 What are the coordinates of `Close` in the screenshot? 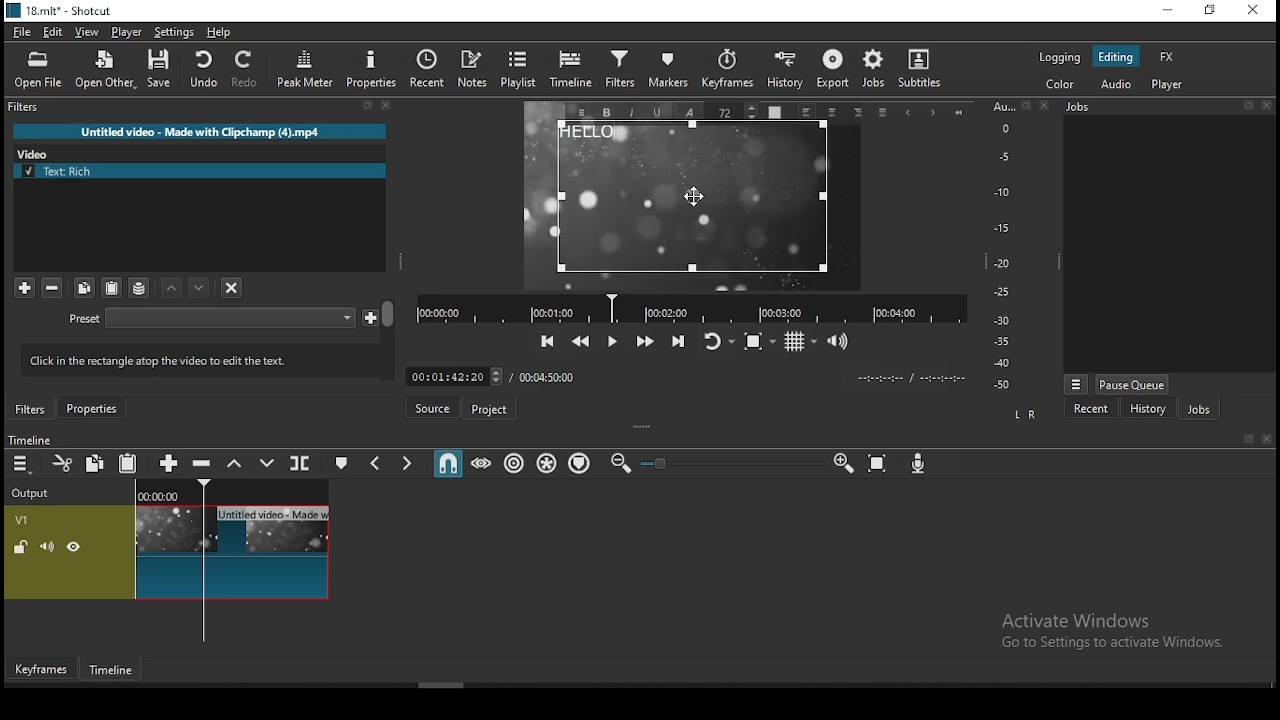 It's located at (1045, 104).